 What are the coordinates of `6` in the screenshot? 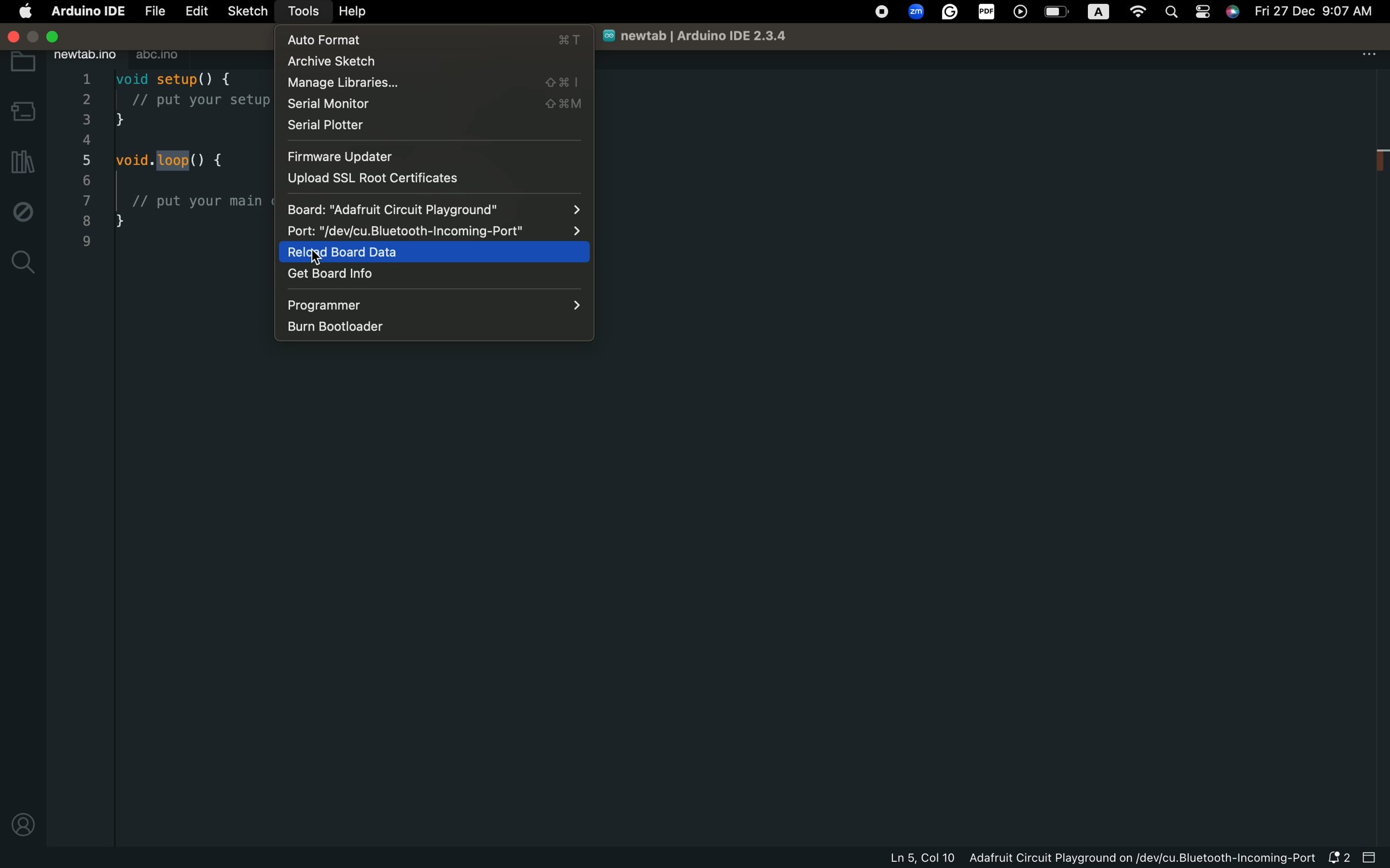 It's located at (86, 180).